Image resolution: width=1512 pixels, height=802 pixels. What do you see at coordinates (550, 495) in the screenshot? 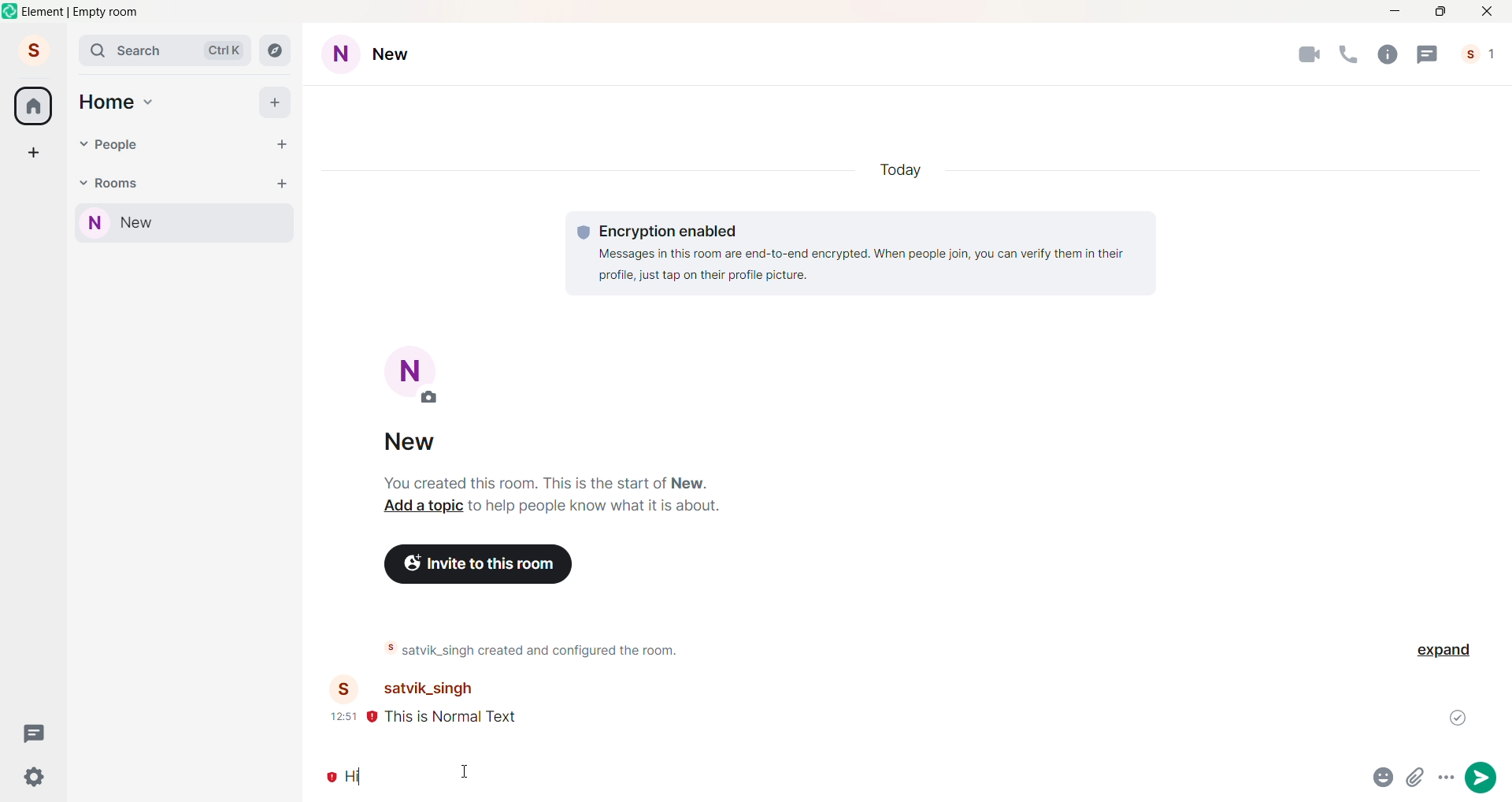
I see `You created this room. This is the start of New.
Add a topic to help people know what it is about.` at bounding box center [550, 495].